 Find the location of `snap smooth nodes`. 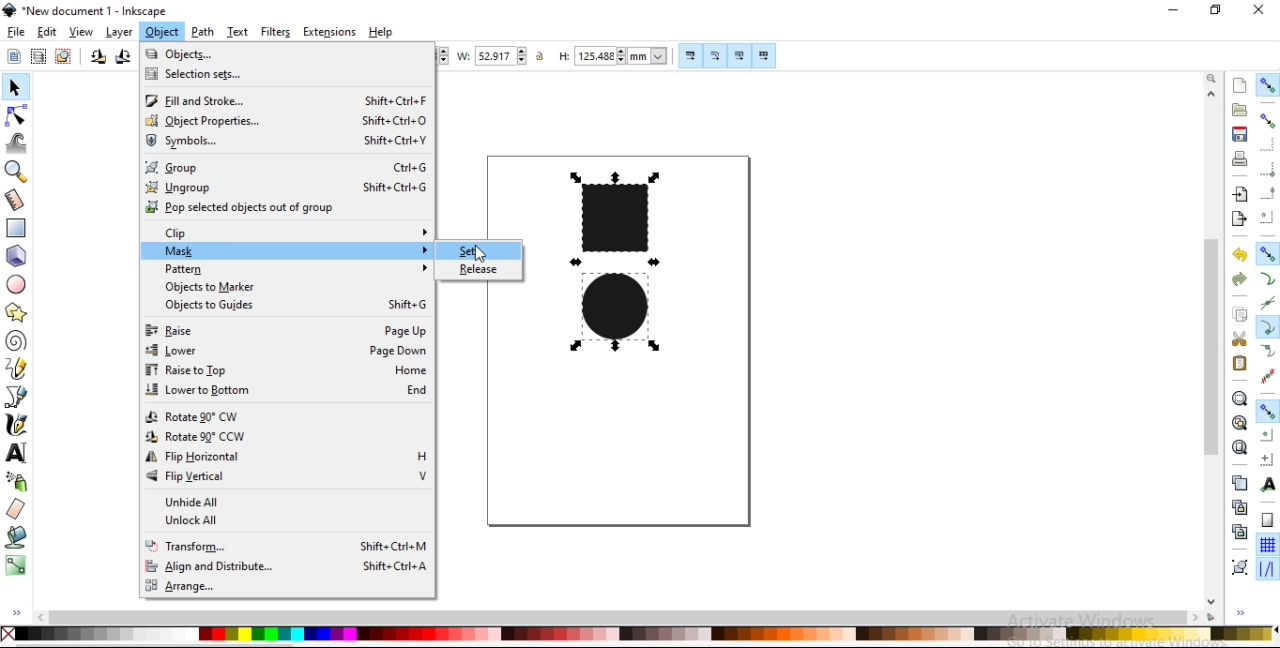

snap smooth nodes is located at coordinates (1267, 351).